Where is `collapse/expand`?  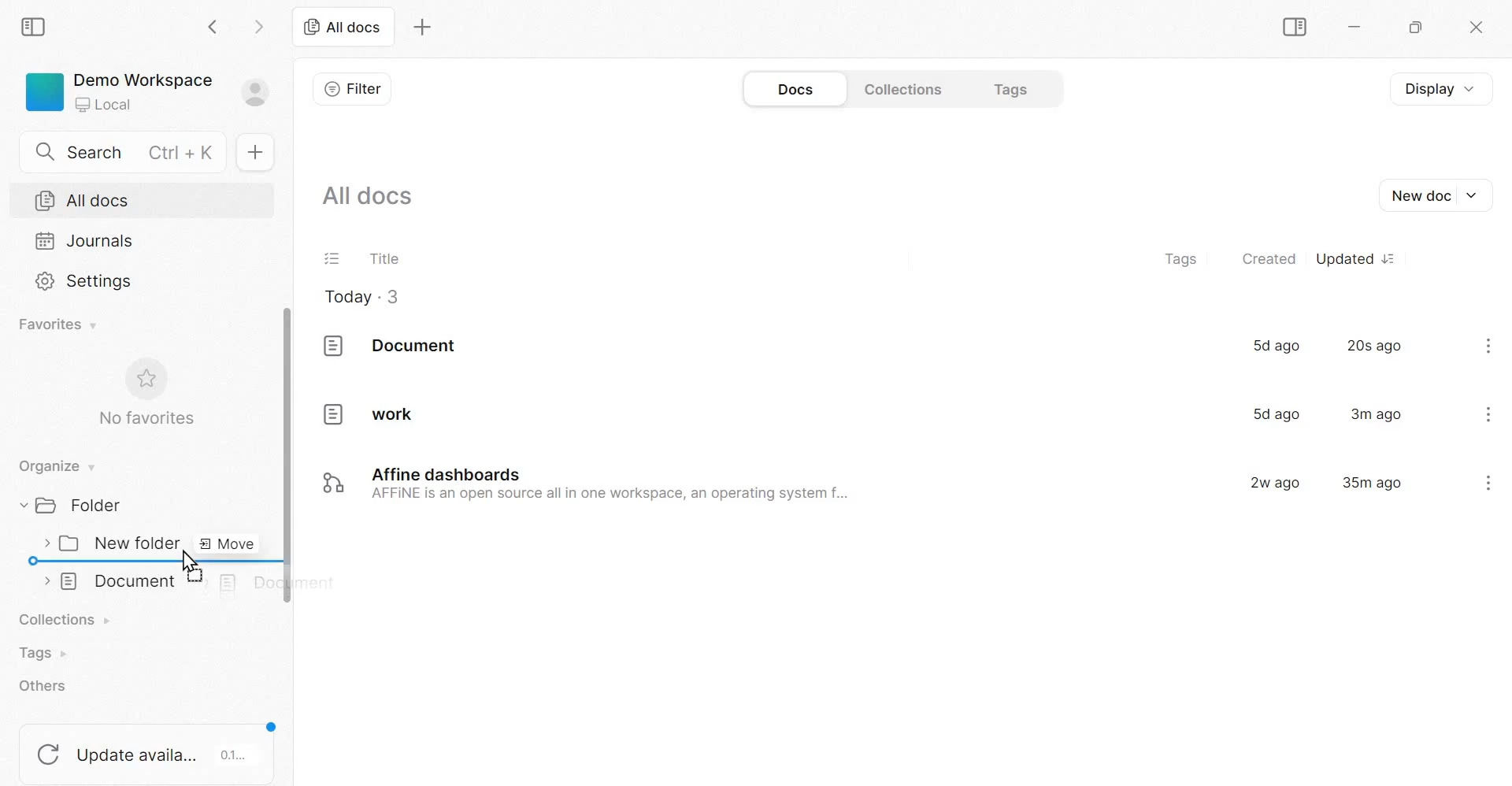
collapse/expand is located at coordinates (43, 544).